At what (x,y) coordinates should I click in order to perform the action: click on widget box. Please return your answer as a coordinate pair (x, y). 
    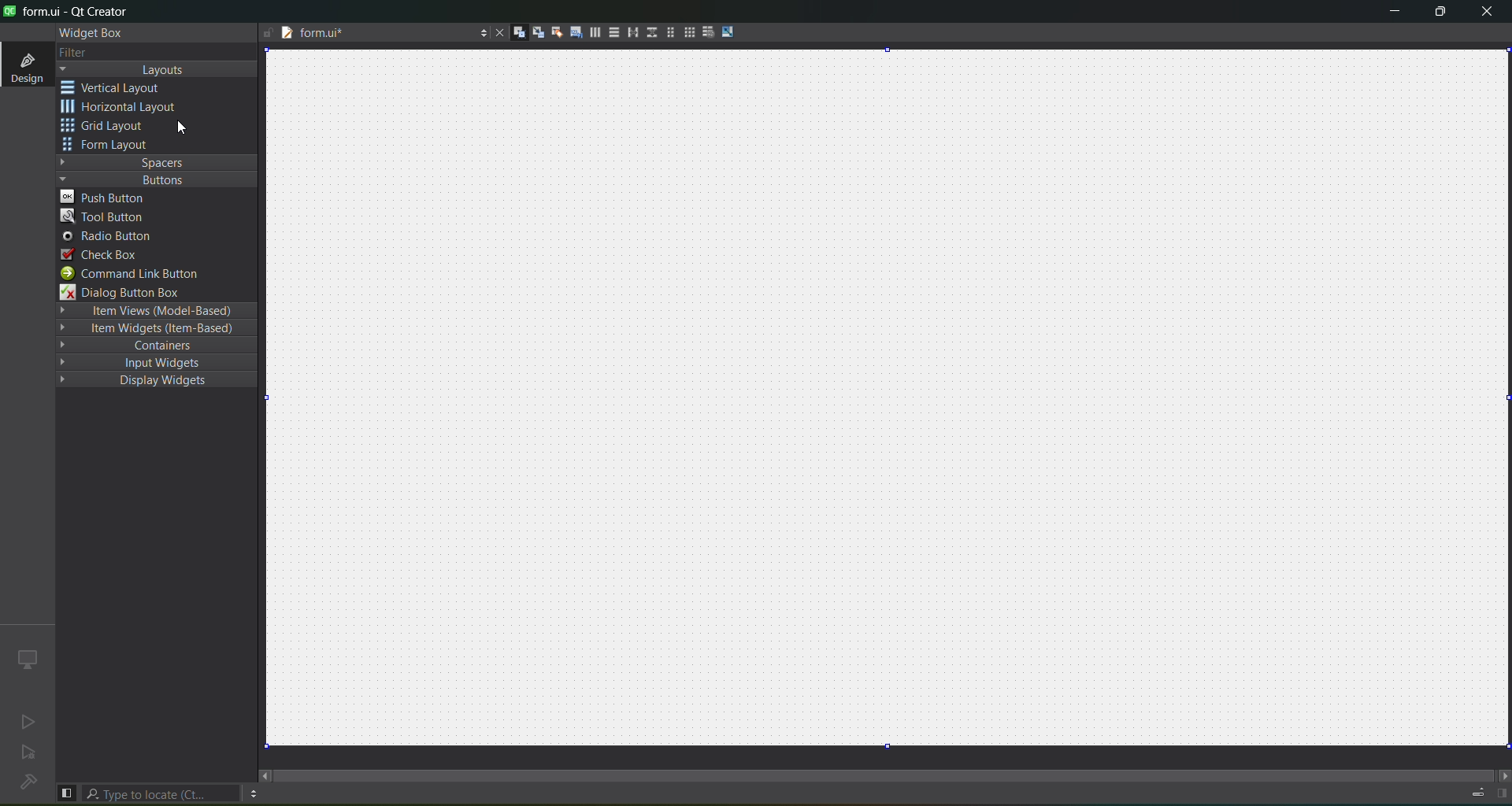
    Looking at the image, I should click on (88, 32).